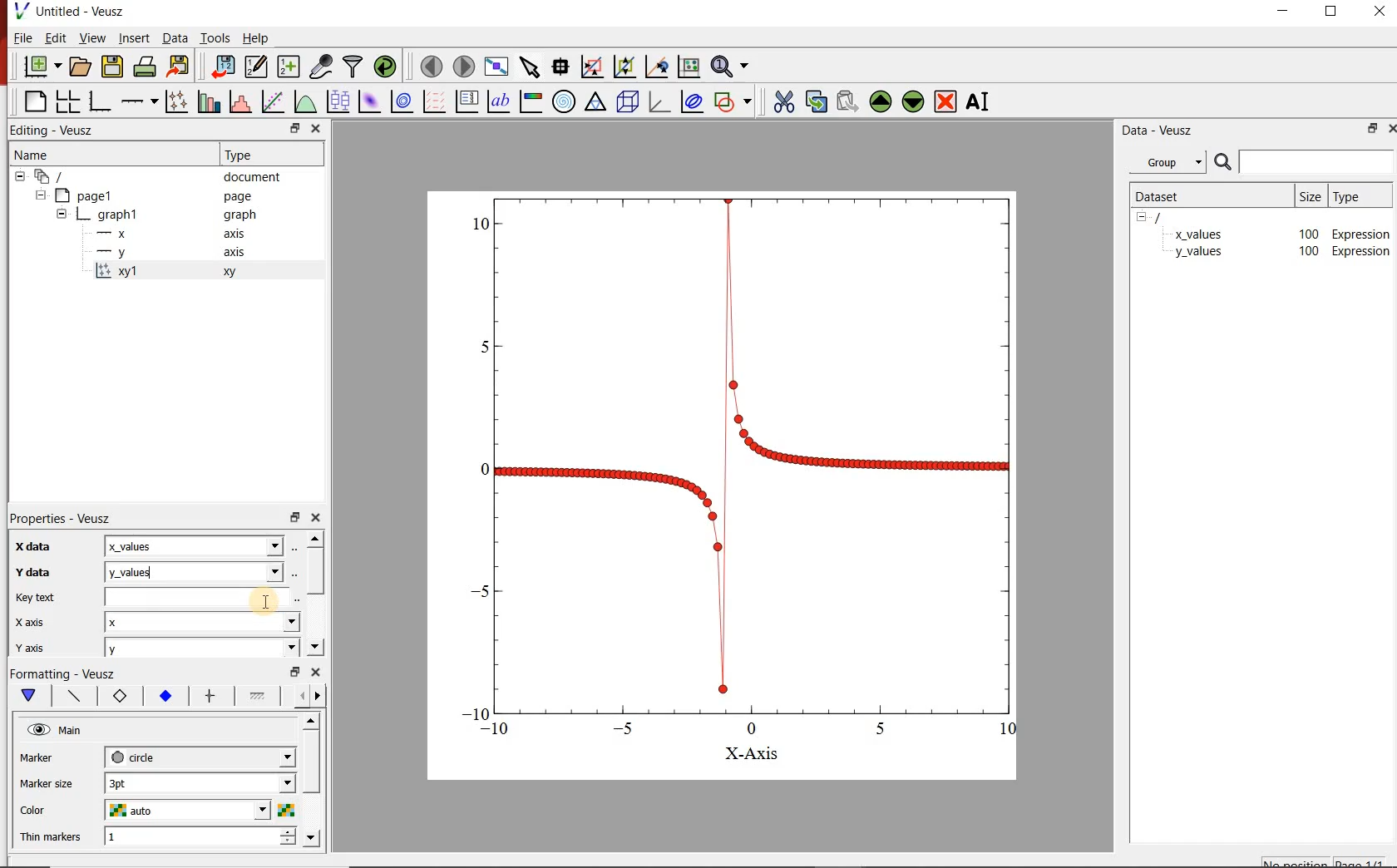 The width and height of the screenshot is (1397, 868). Describe the element at coordinates (37, 811) in the screenshot. I see `Color` at that location.